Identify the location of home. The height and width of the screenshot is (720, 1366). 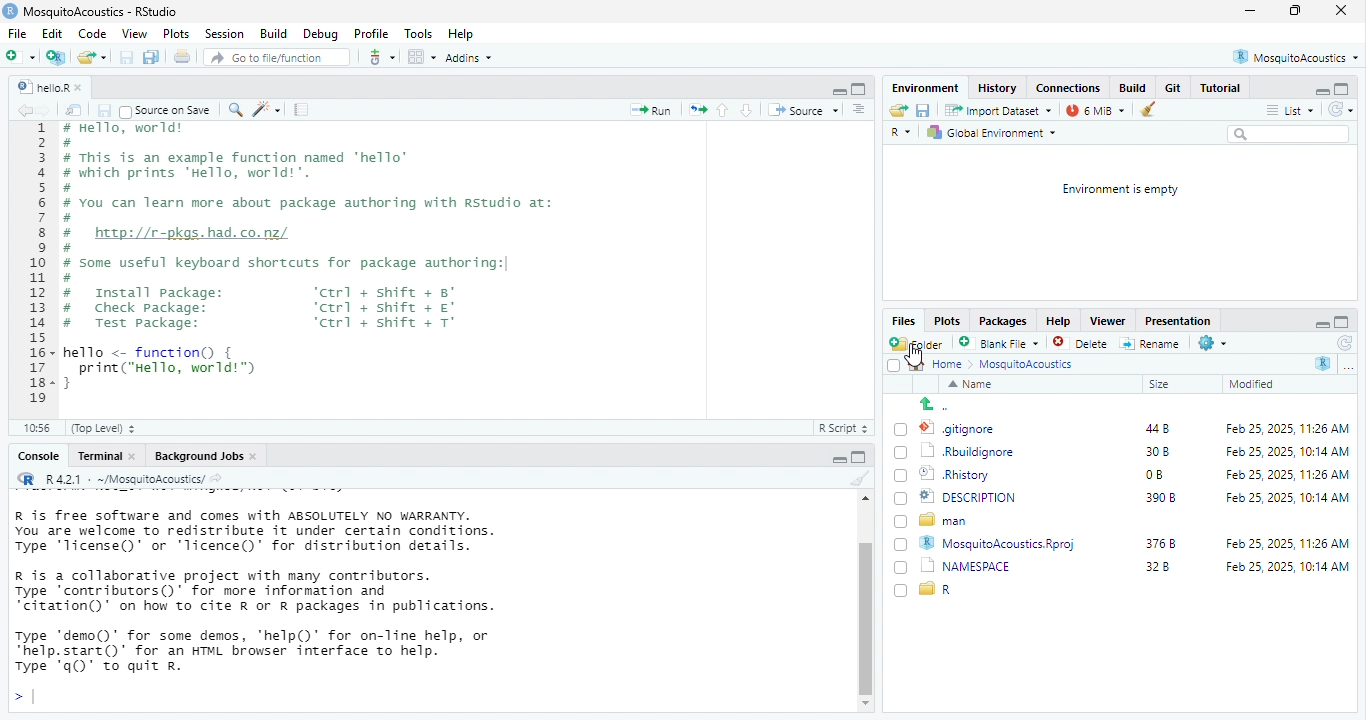
(952, 365).